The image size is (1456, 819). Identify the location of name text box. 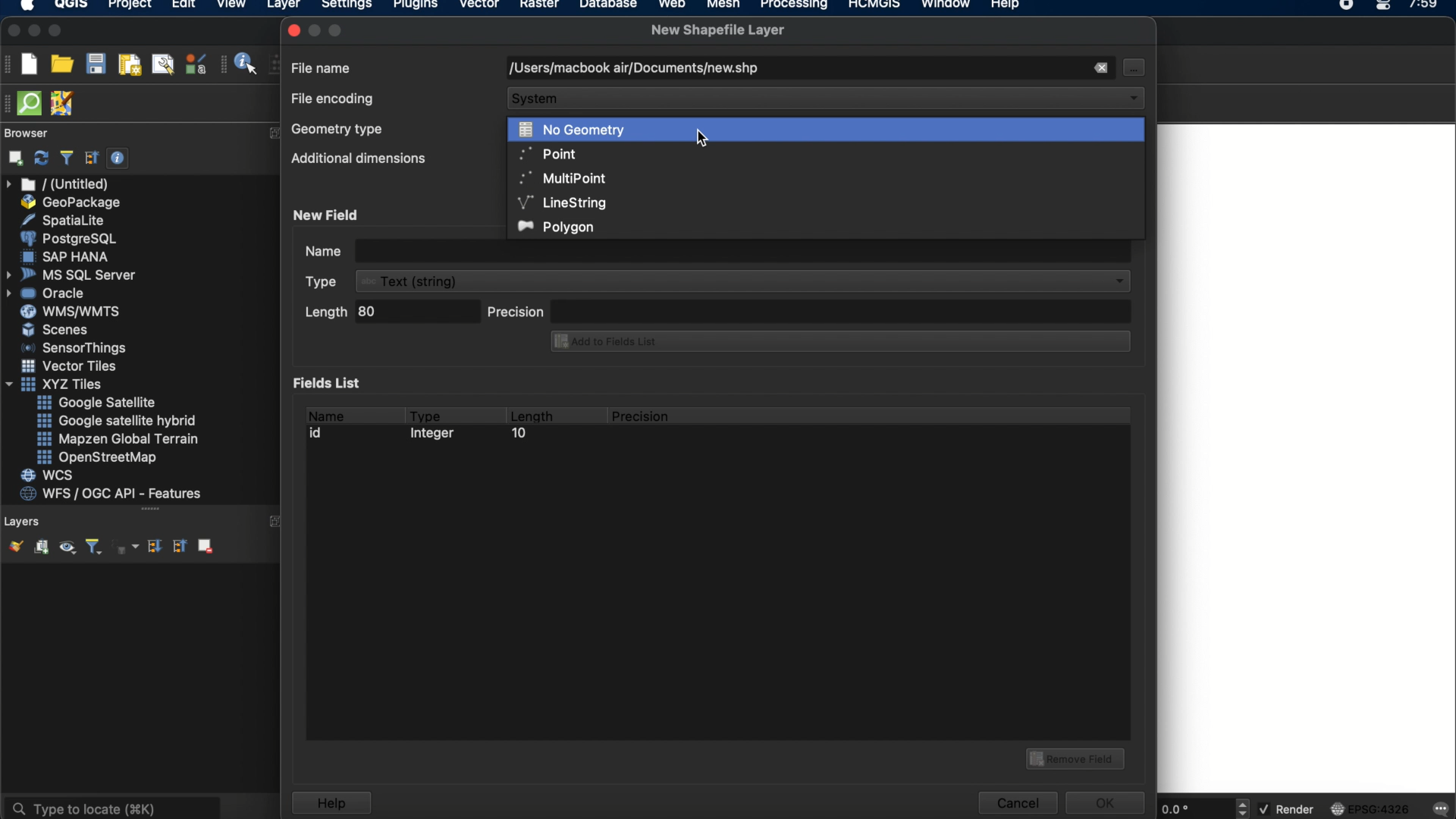
(715, 251).